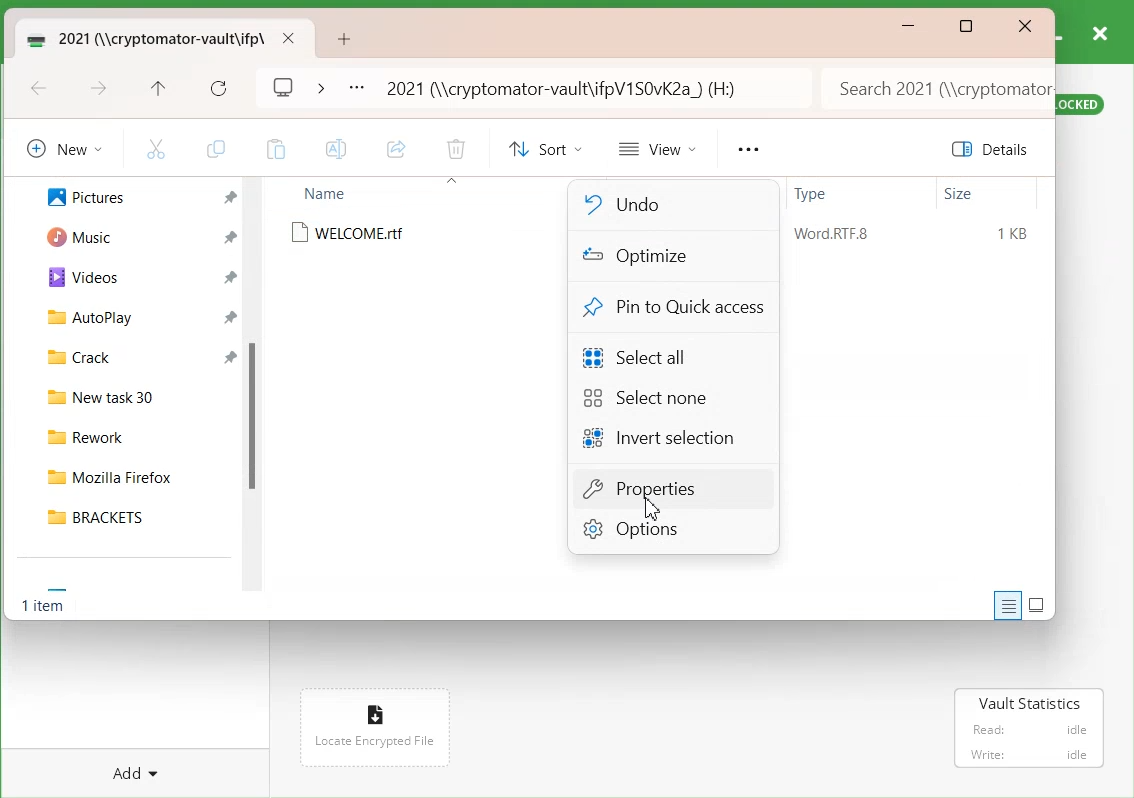  What do you see at coordinates (72, 235) in the screenshot?
I see `Music` at bounding box center [72, 235].